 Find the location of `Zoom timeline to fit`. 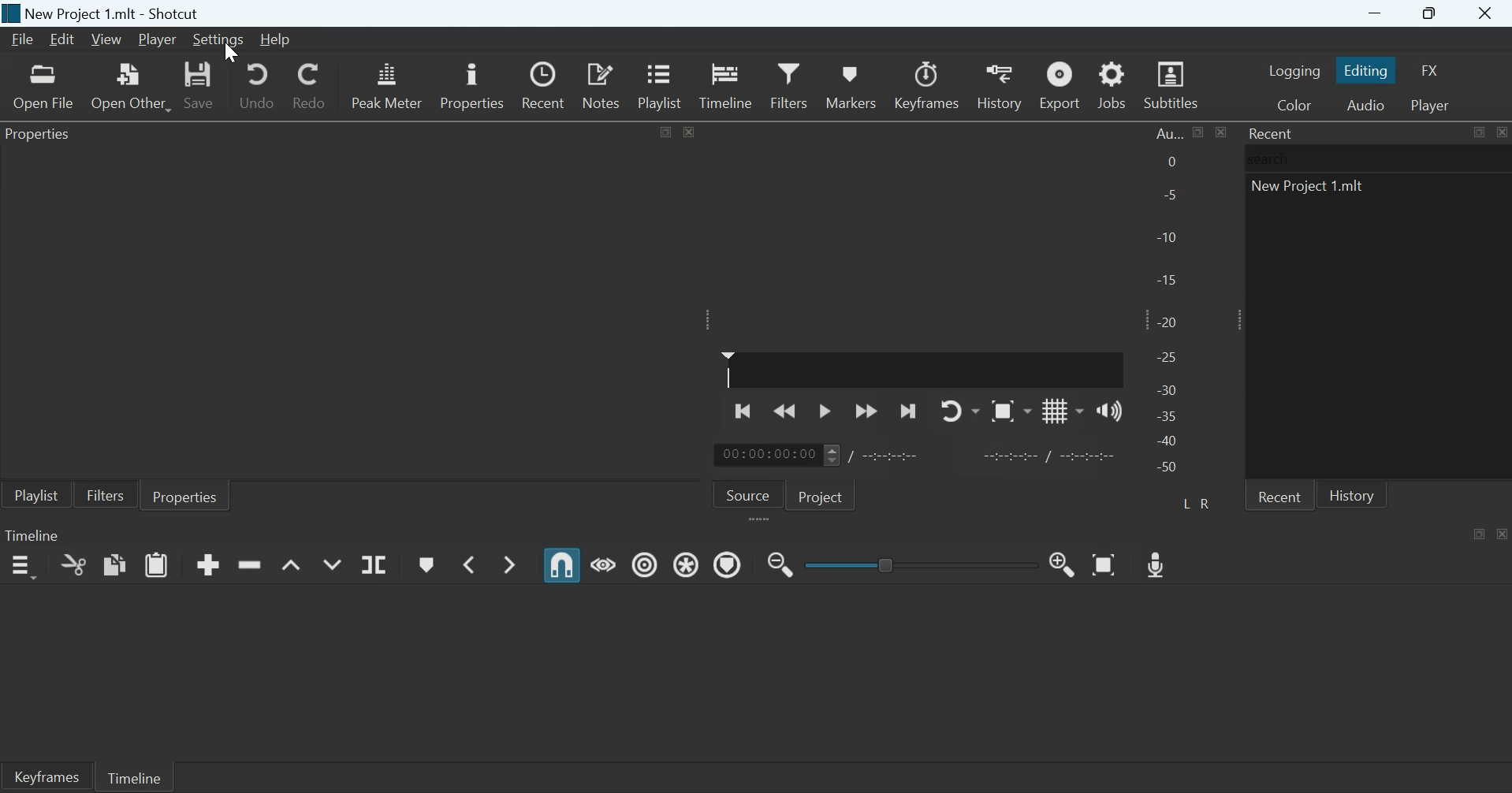

Zoom timeline to fit is located at coordinates (1106, 564).